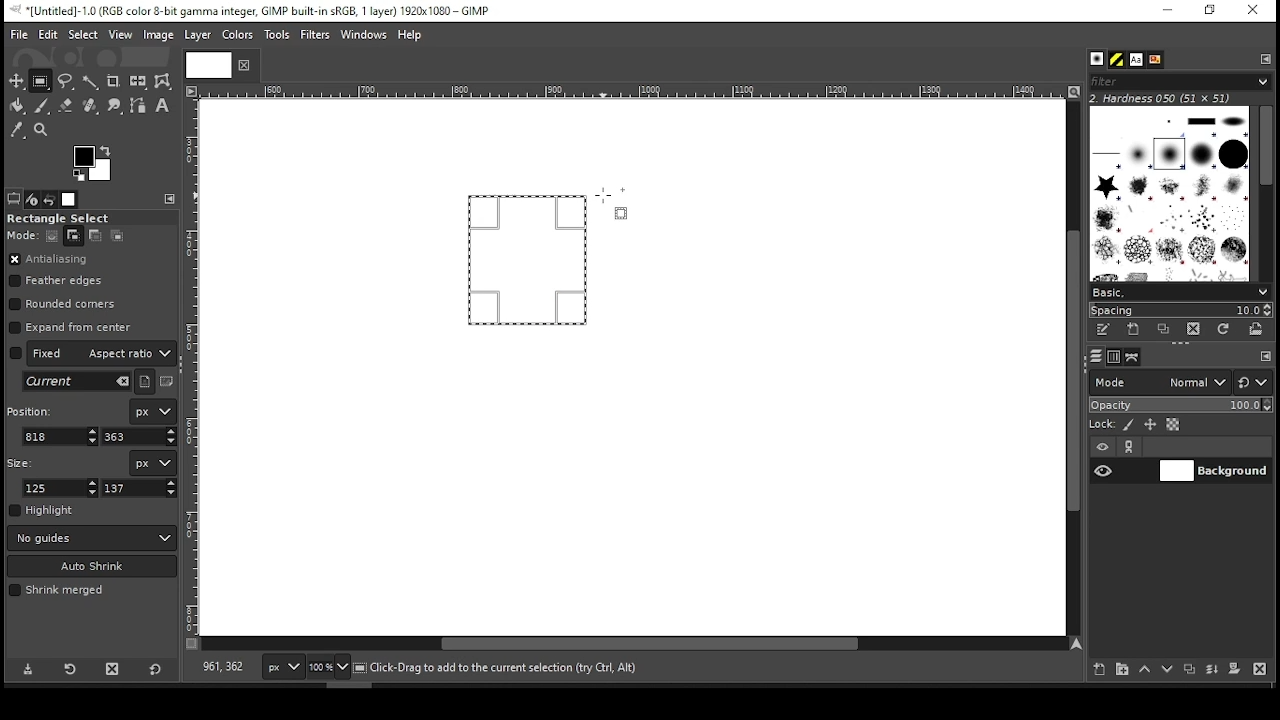 Image resolution: width=1280 pixels, height=720 pixels. Describe the element at coordinates (1154, 60) in the screenshot. I see `document history` at that location.